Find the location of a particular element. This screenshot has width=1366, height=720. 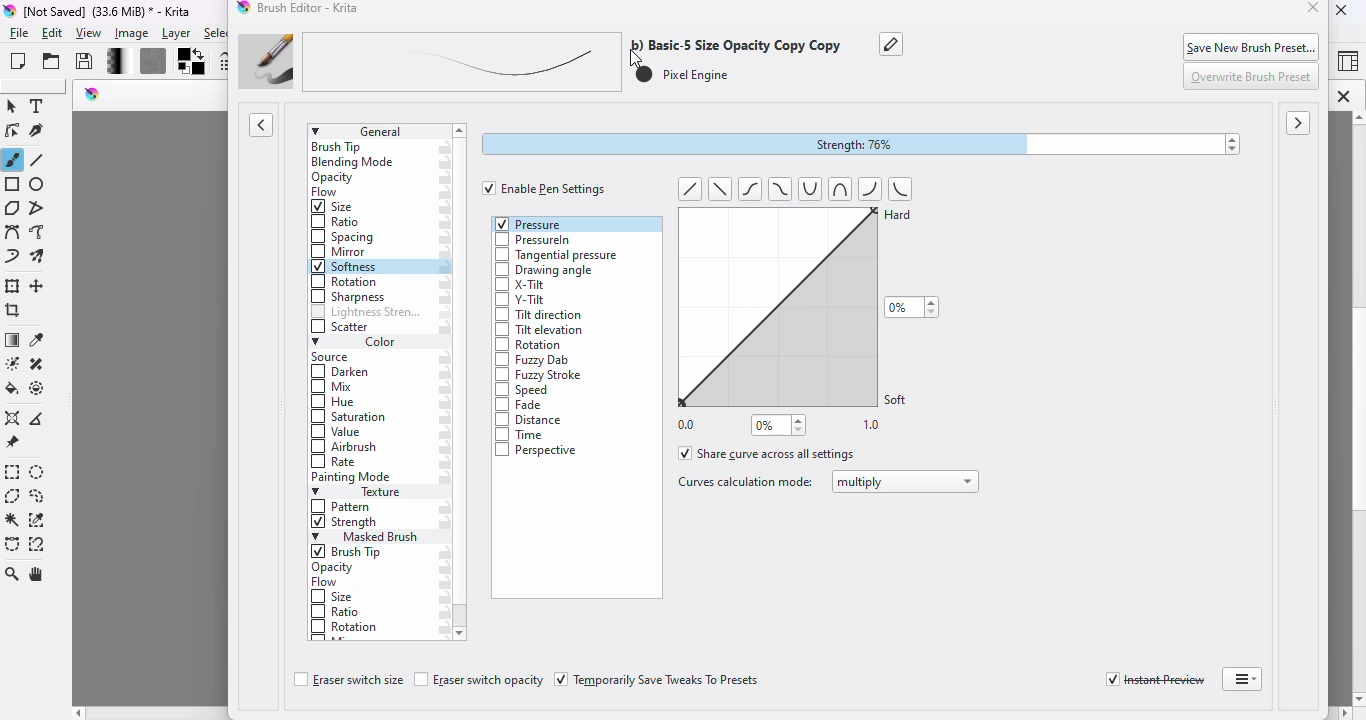

mirror is located at coordinates (341, 252).